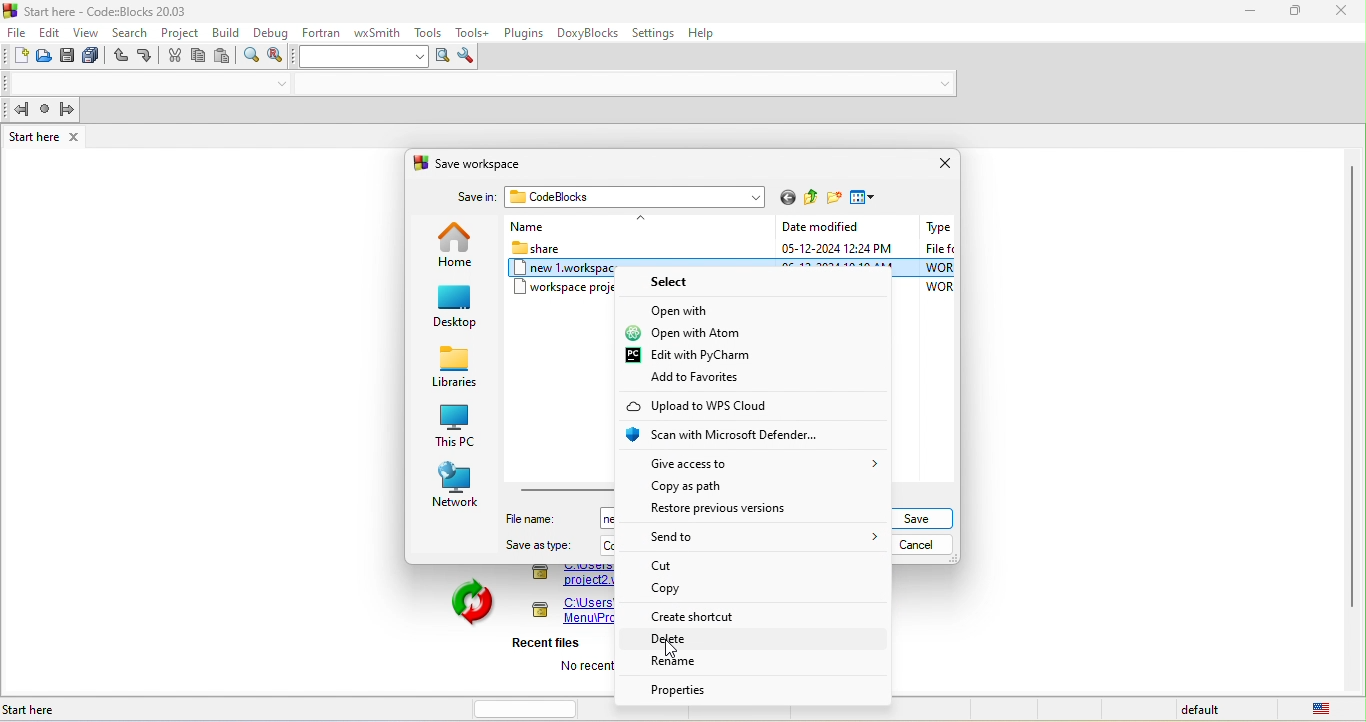  Describe the element at coordinates (756, 462) in the screenshot. I see `give access to` at that location.